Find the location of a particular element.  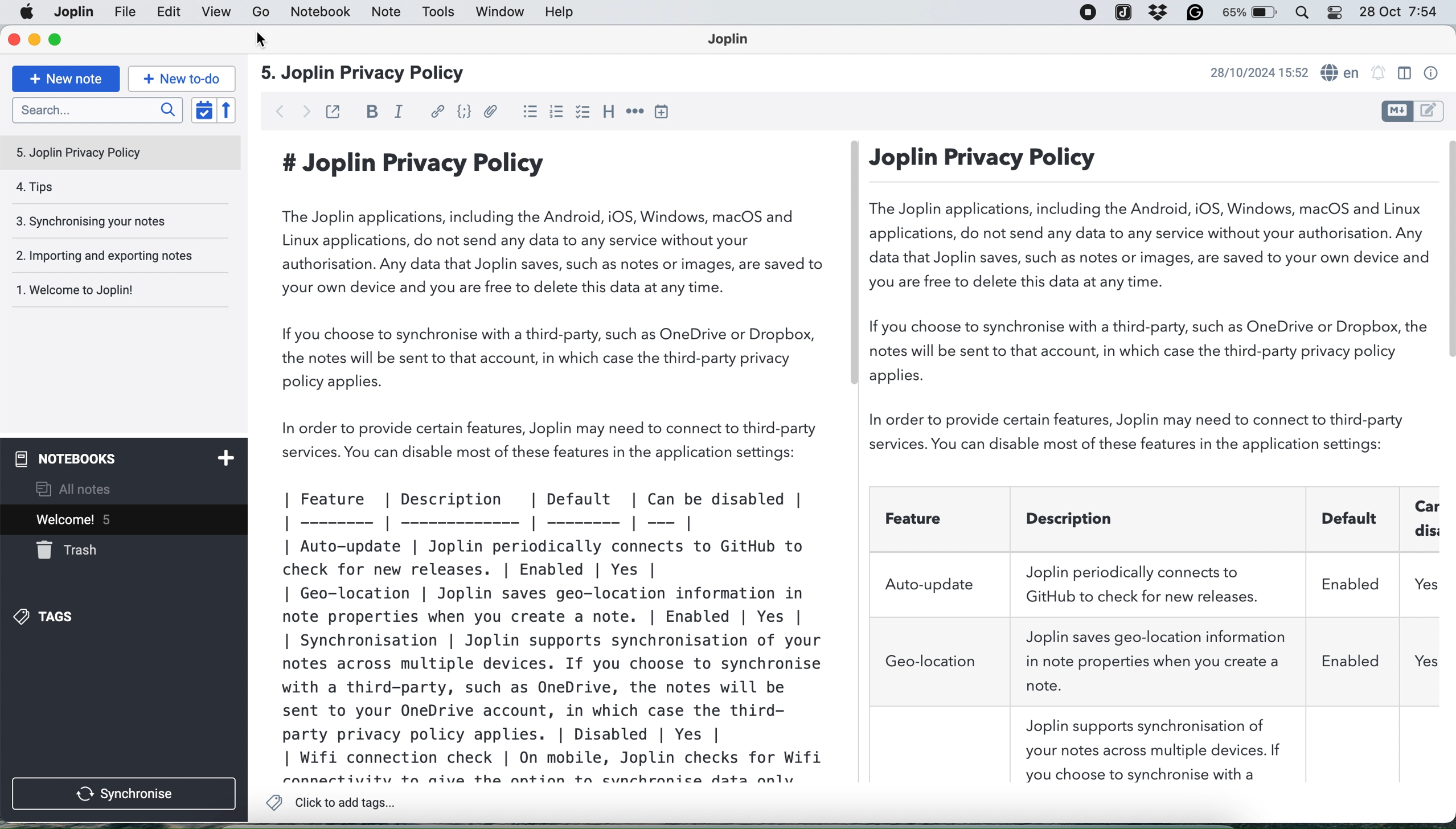

alarm is located at coordinates (1379, 74).